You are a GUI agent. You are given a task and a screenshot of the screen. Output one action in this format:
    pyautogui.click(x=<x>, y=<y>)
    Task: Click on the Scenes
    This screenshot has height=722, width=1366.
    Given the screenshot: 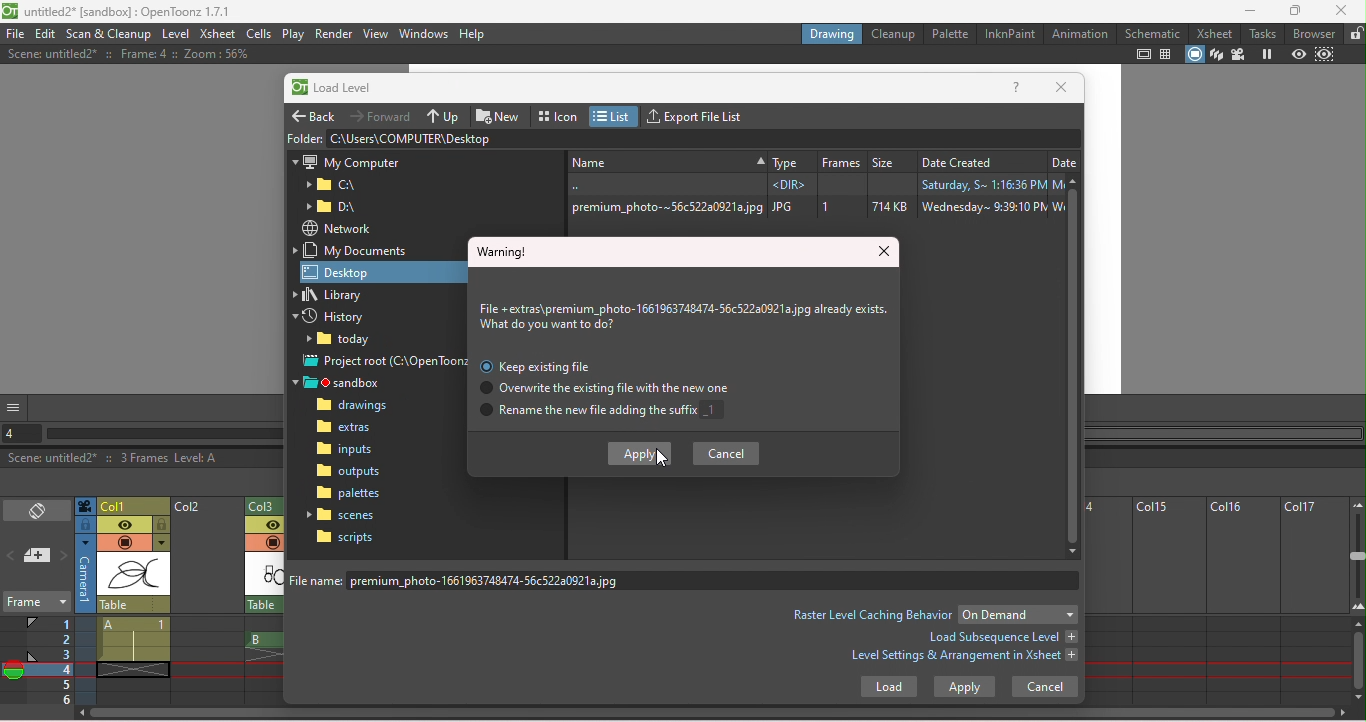 What is the action you would take?
    pyautogui.click(x=345, y=514)
    